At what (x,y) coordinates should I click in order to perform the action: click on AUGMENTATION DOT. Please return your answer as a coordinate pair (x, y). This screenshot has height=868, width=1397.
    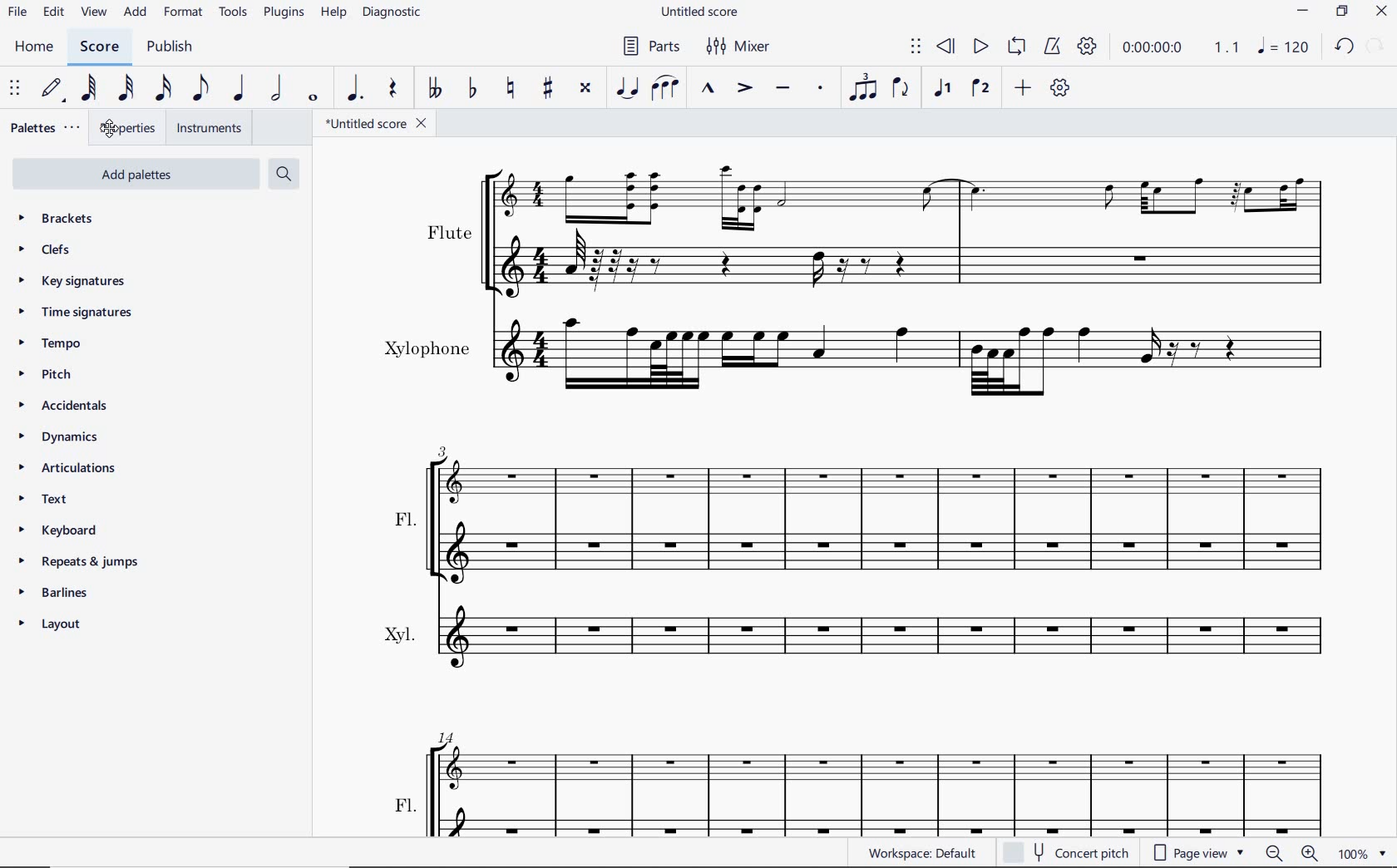
    Looking at the image, I should click on (353, 90).